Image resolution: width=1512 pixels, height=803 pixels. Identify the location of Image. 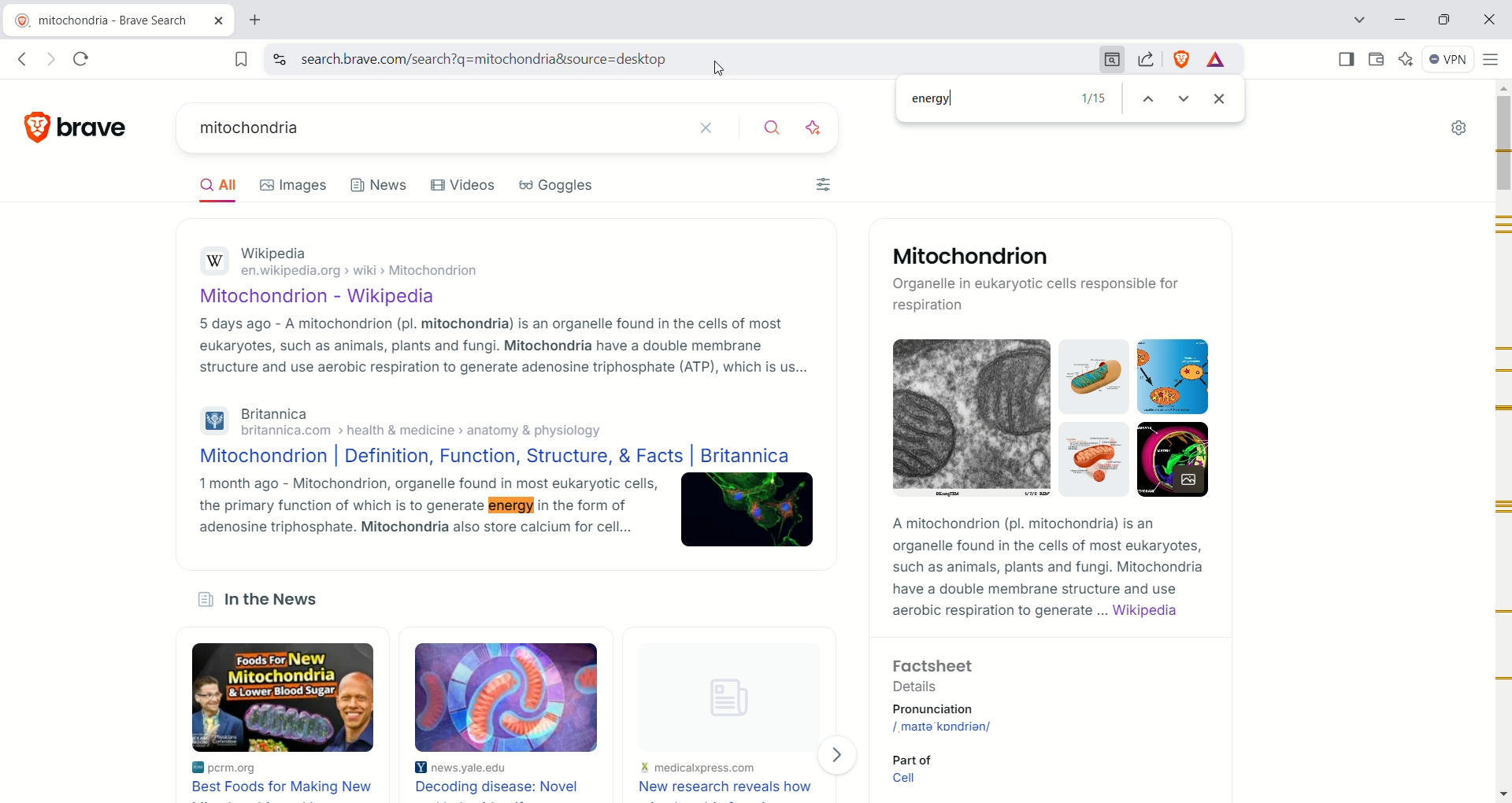
(970, 417).